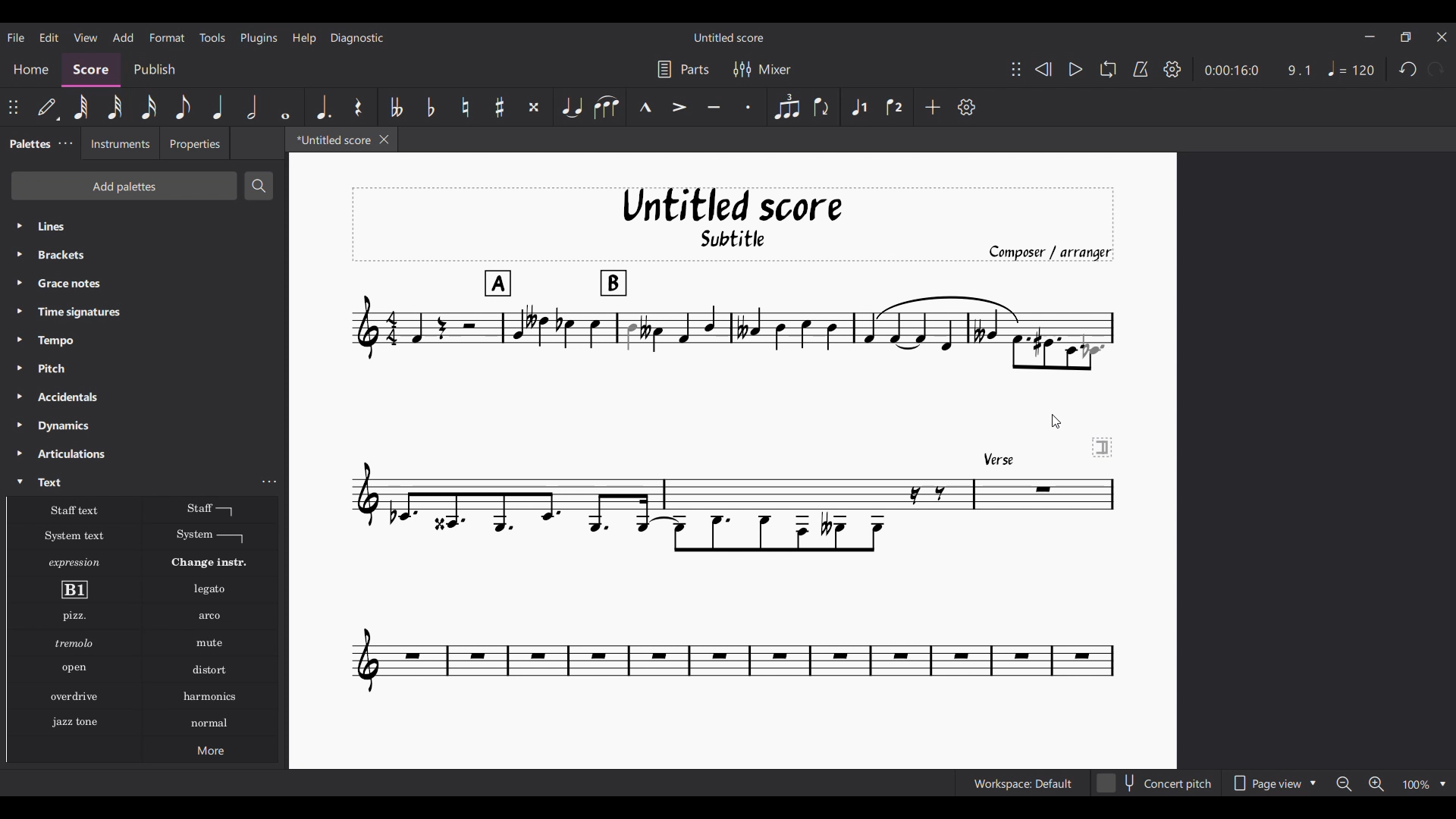 This screenshot has width=1456, height=819. Describe the element at coordinates (124, 186) in the screenshot. I see `Add palettes` at that location.